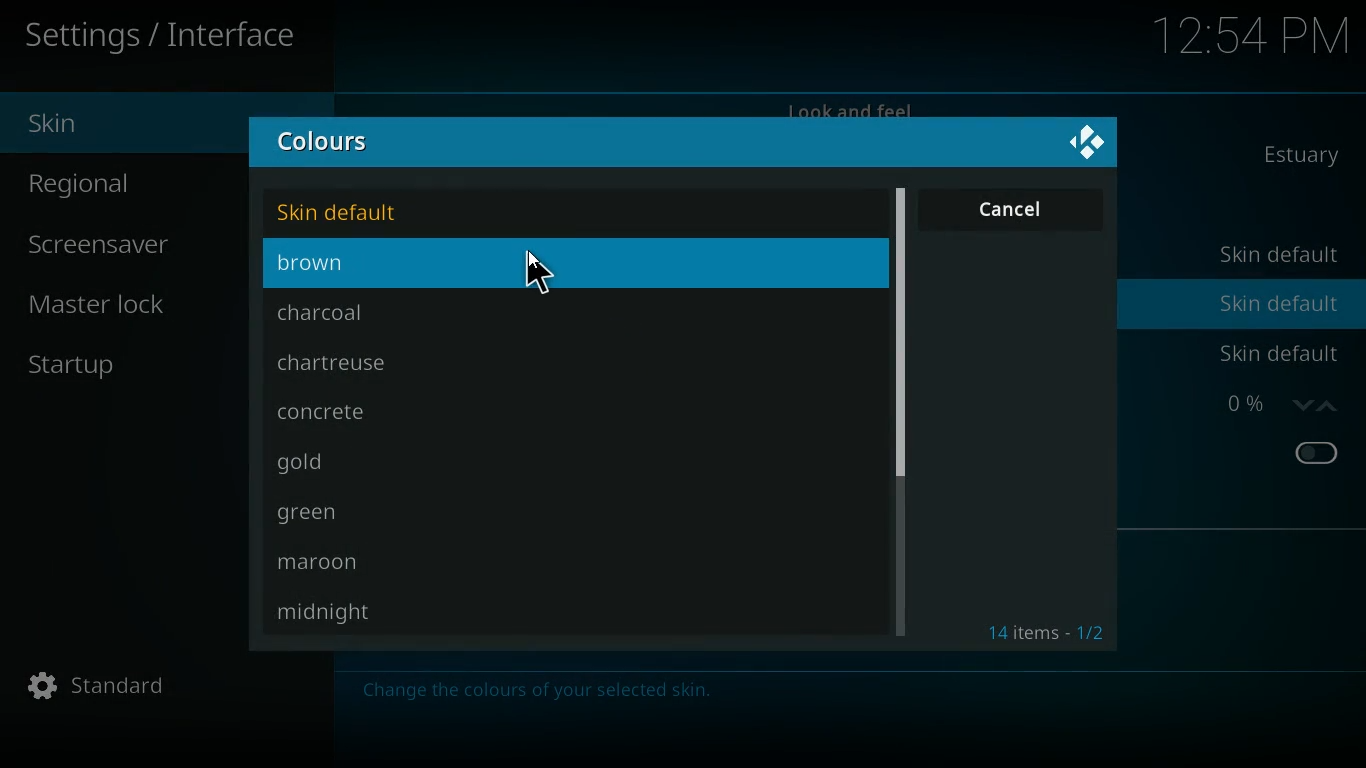  What do you see at coordinates (126, 184) in the screenshot?
I see `regional` at bounding box center [126, 184].